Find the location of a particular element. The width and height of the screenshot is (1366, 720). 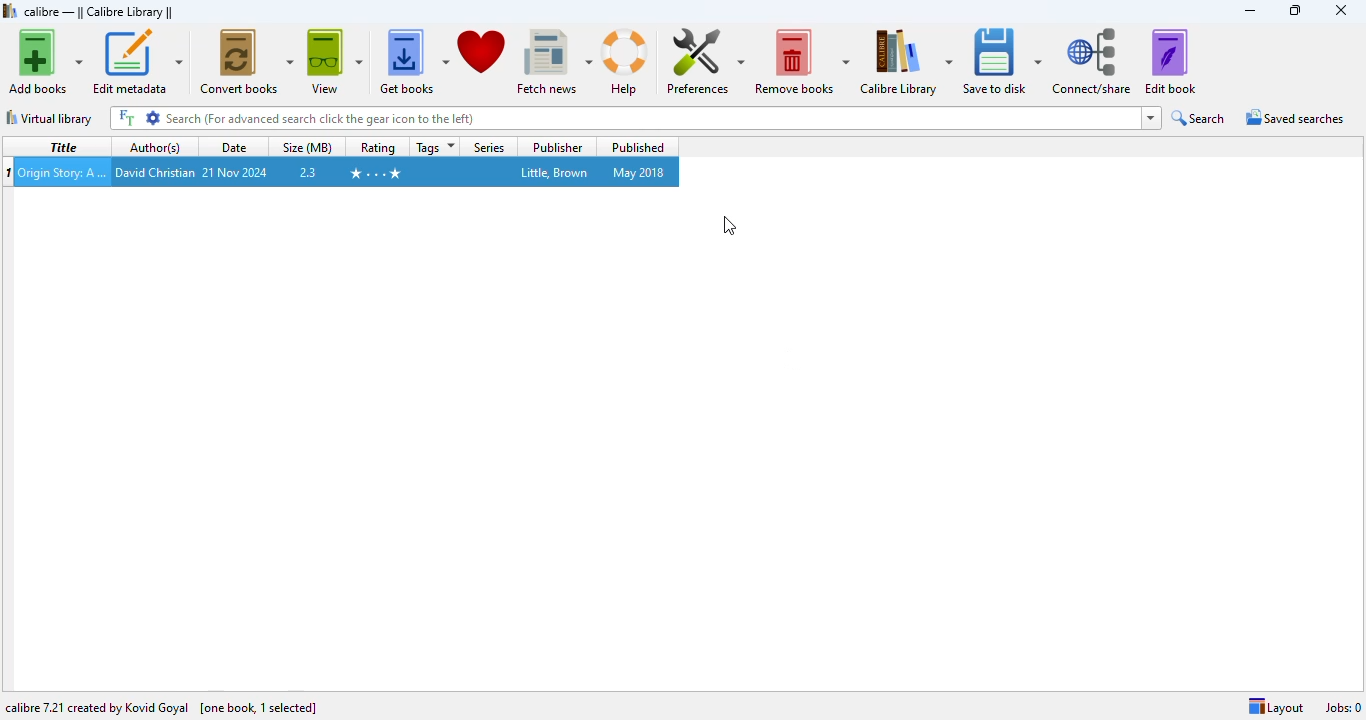

one book selected is located at coordinates (261, 708).